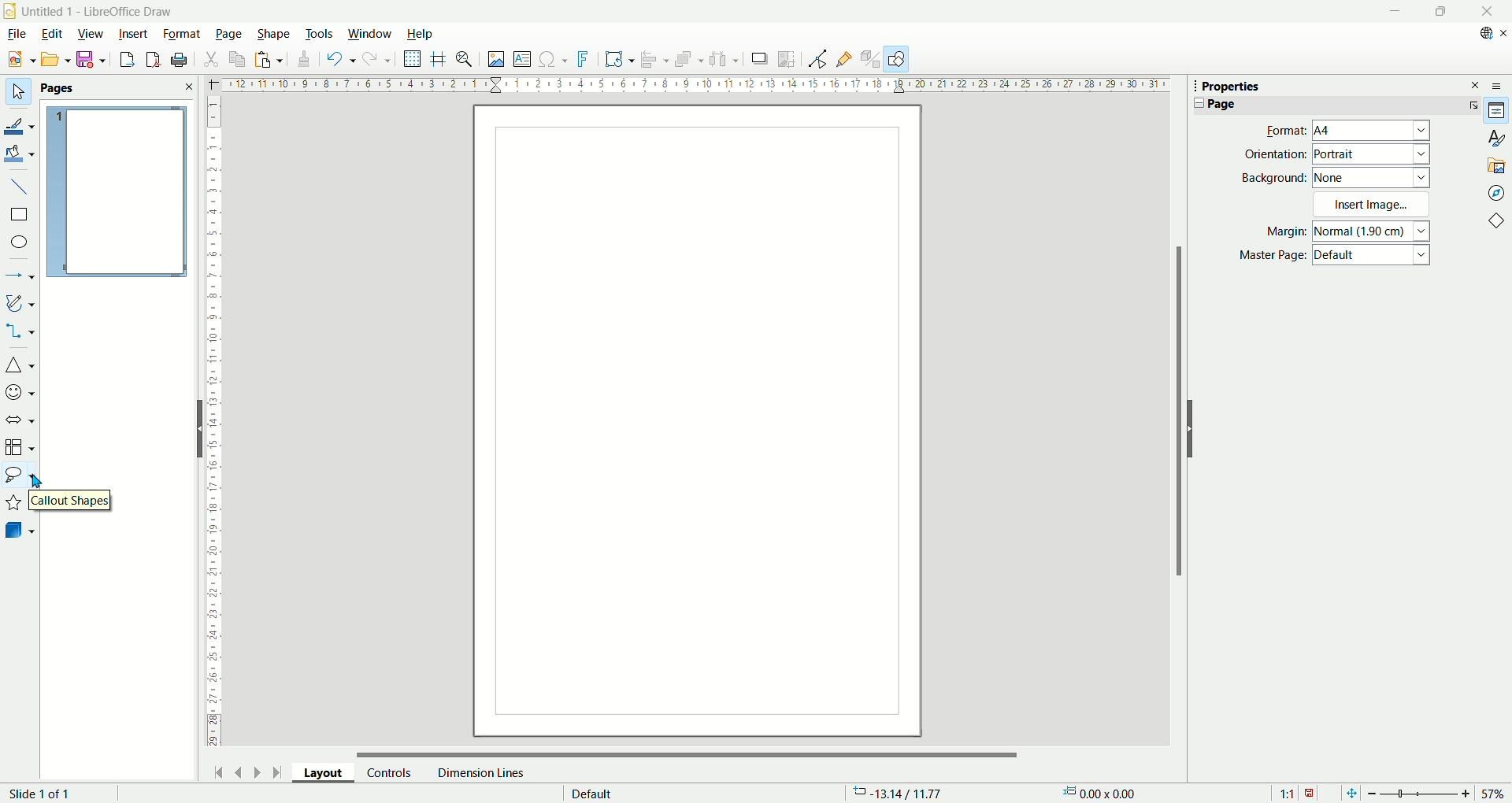 The width and height of the screenshot is (1512, 803). What do you see at coordinates (214, 421) in the screenshot?
I see `Vetical ruler` at bounding box center [214, 421].